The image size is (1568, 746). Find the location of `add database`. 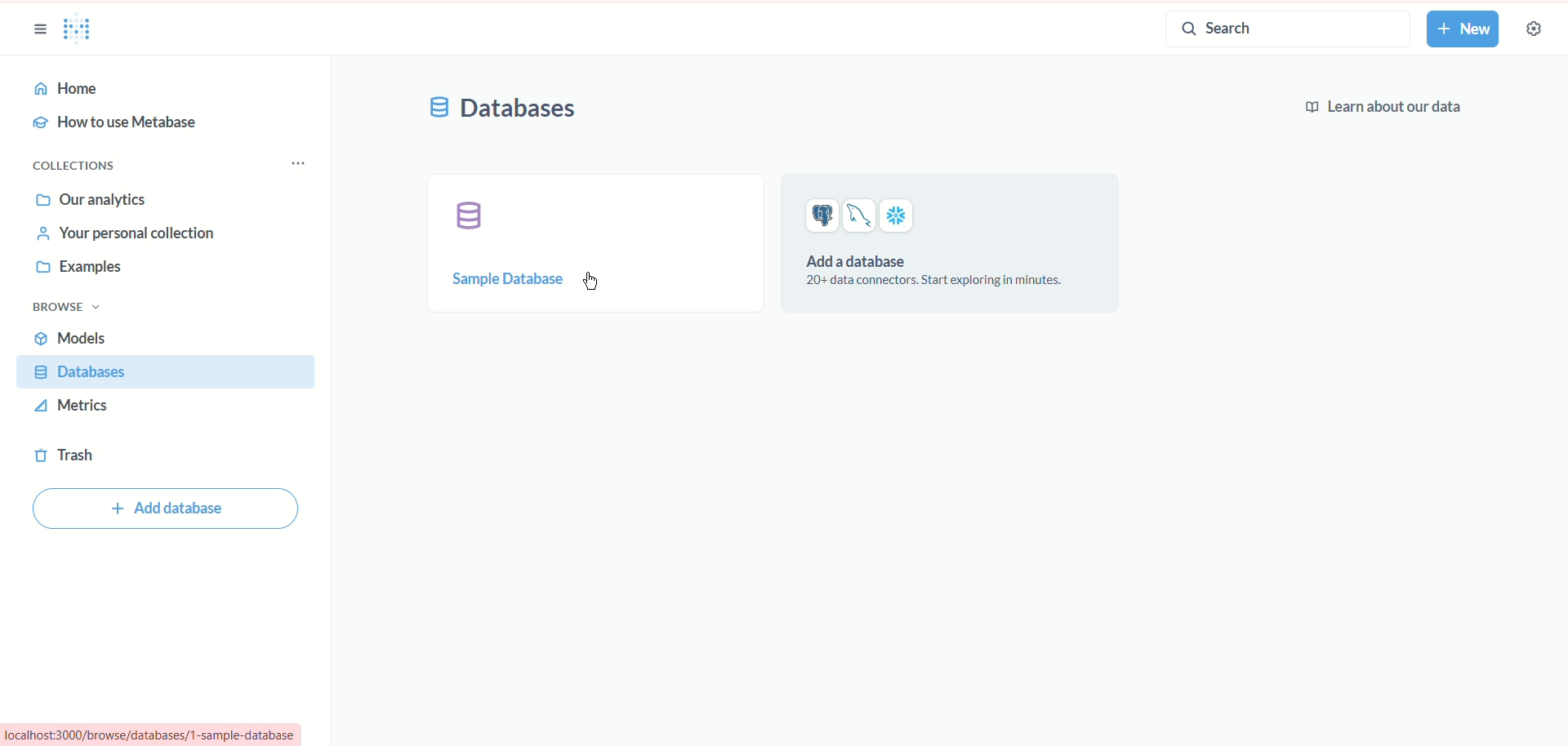

add database is located at coordinates (165, 508).